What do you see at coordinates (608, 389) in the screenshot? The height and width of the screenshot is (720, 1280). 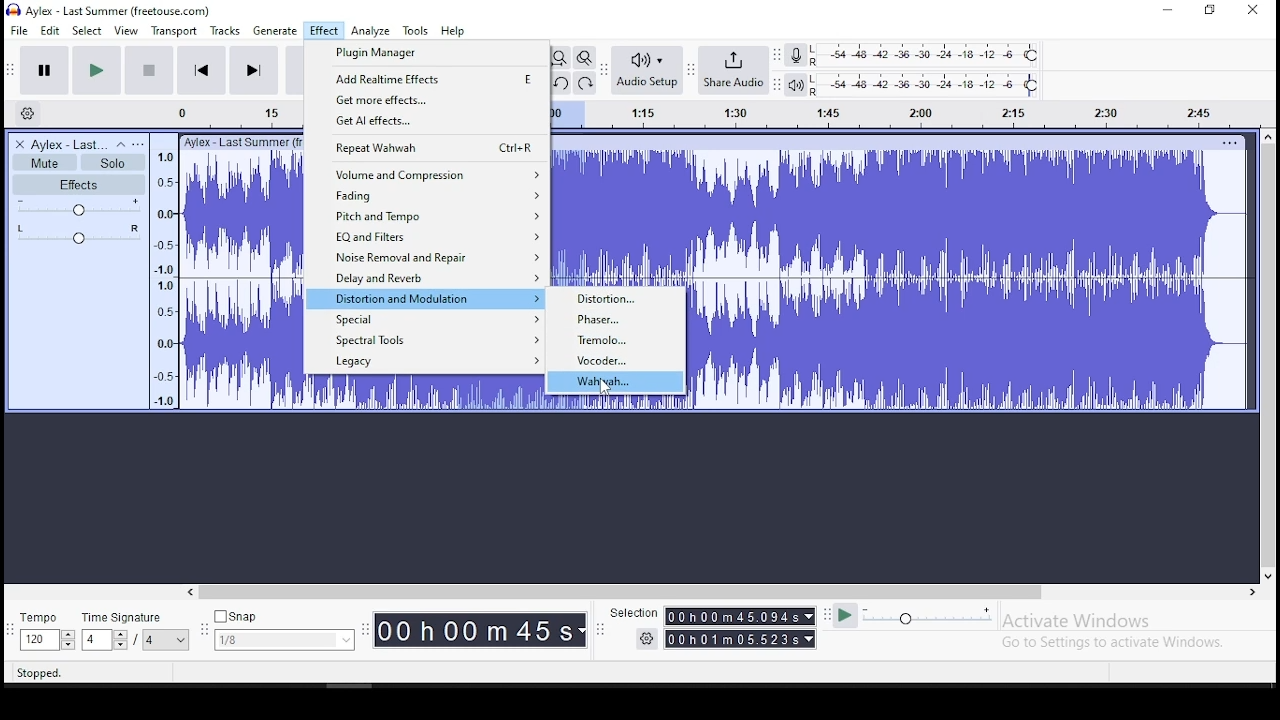 I see `cursor` at bounding box center [608, 389].